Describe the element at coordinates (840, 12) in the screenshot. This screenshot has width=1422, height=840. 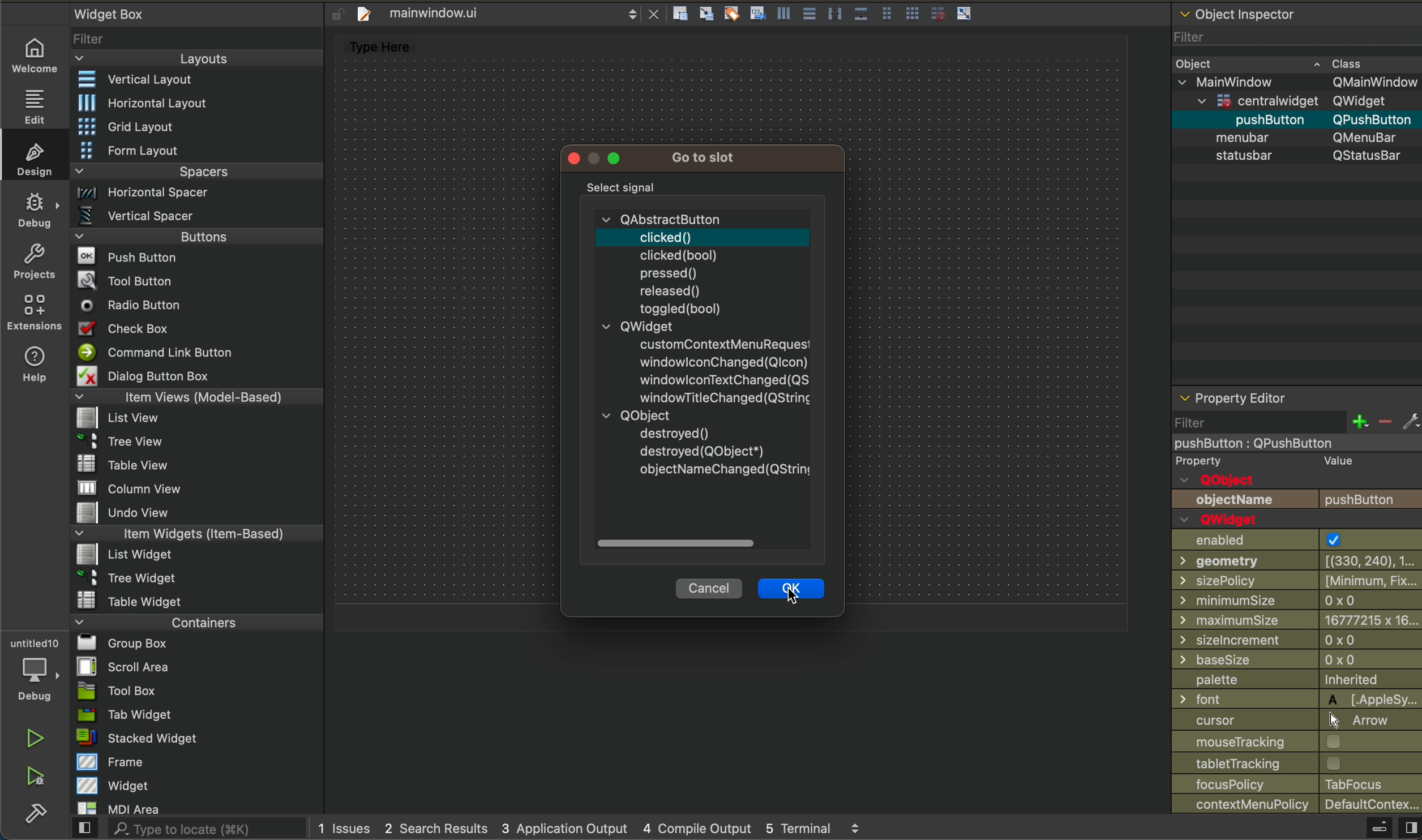
I see `` at that location.